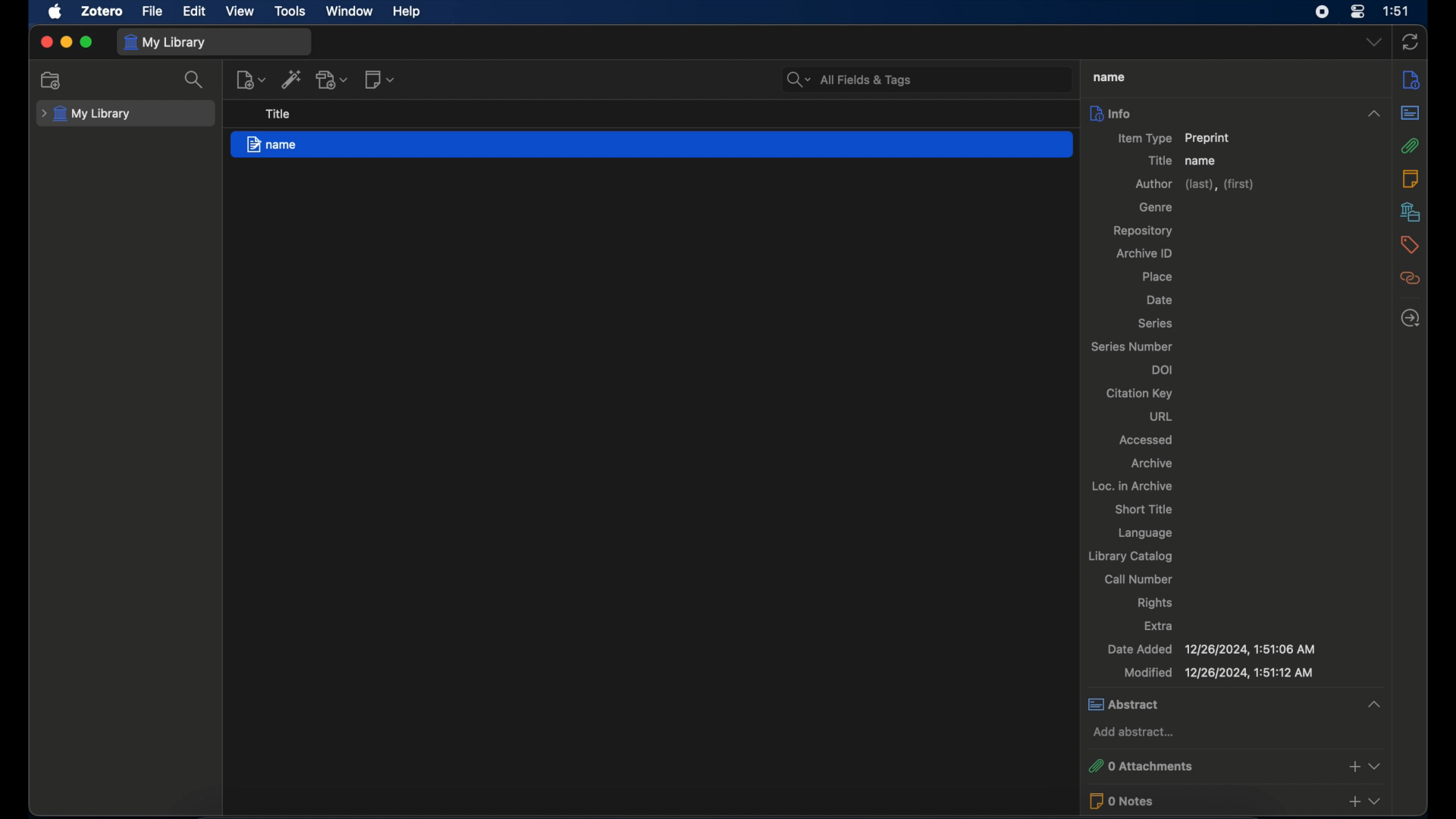  What do you see at coordinates (1407, 245) in the screenshot?
I see `tags` at bounding box center [1407, 245].